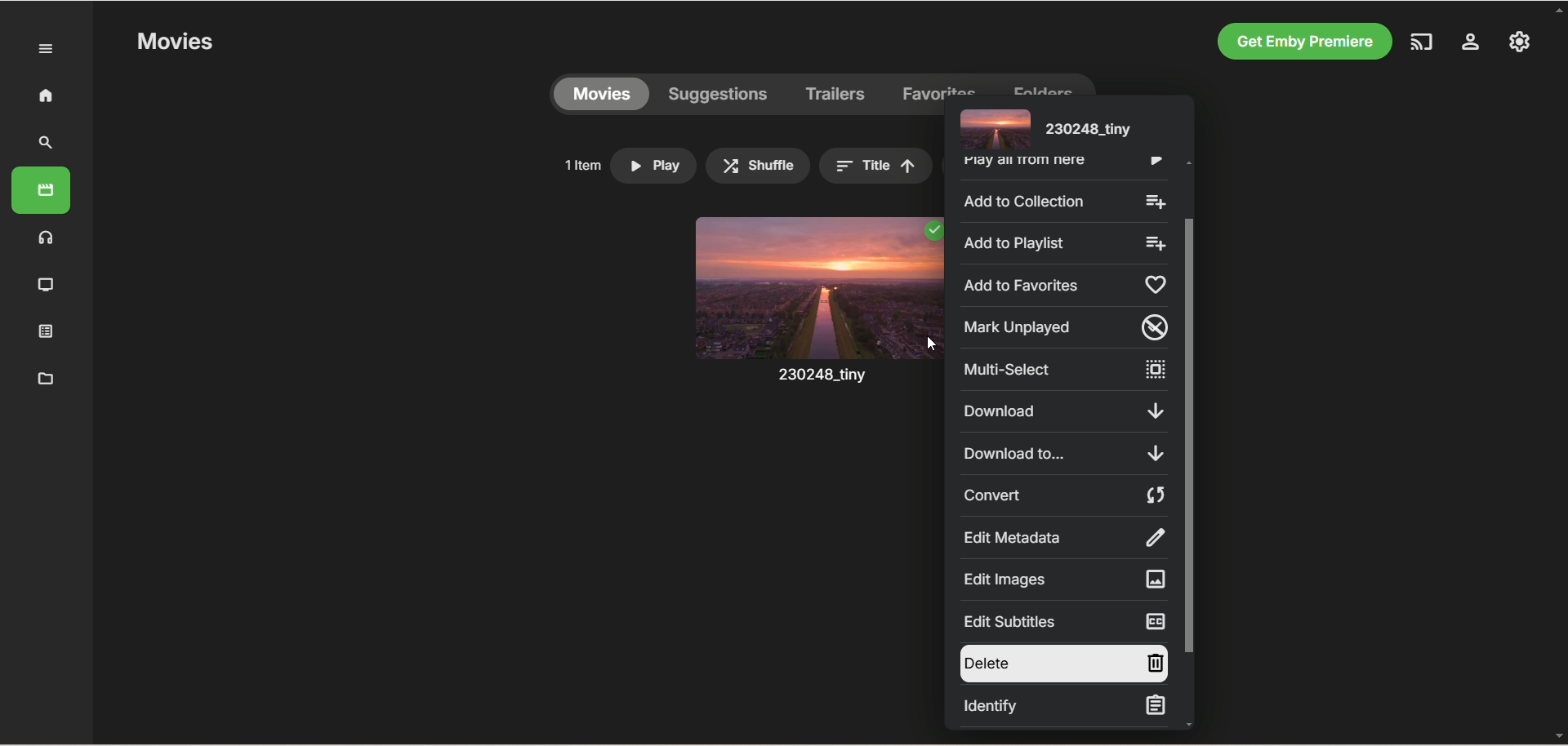 Image resolution: width=1568 pixels, height=746 pixels. What do you see at coordinates (1061, 326) in the screenshot?
I see `mark unplayed` at bounding box center [1061, 326].